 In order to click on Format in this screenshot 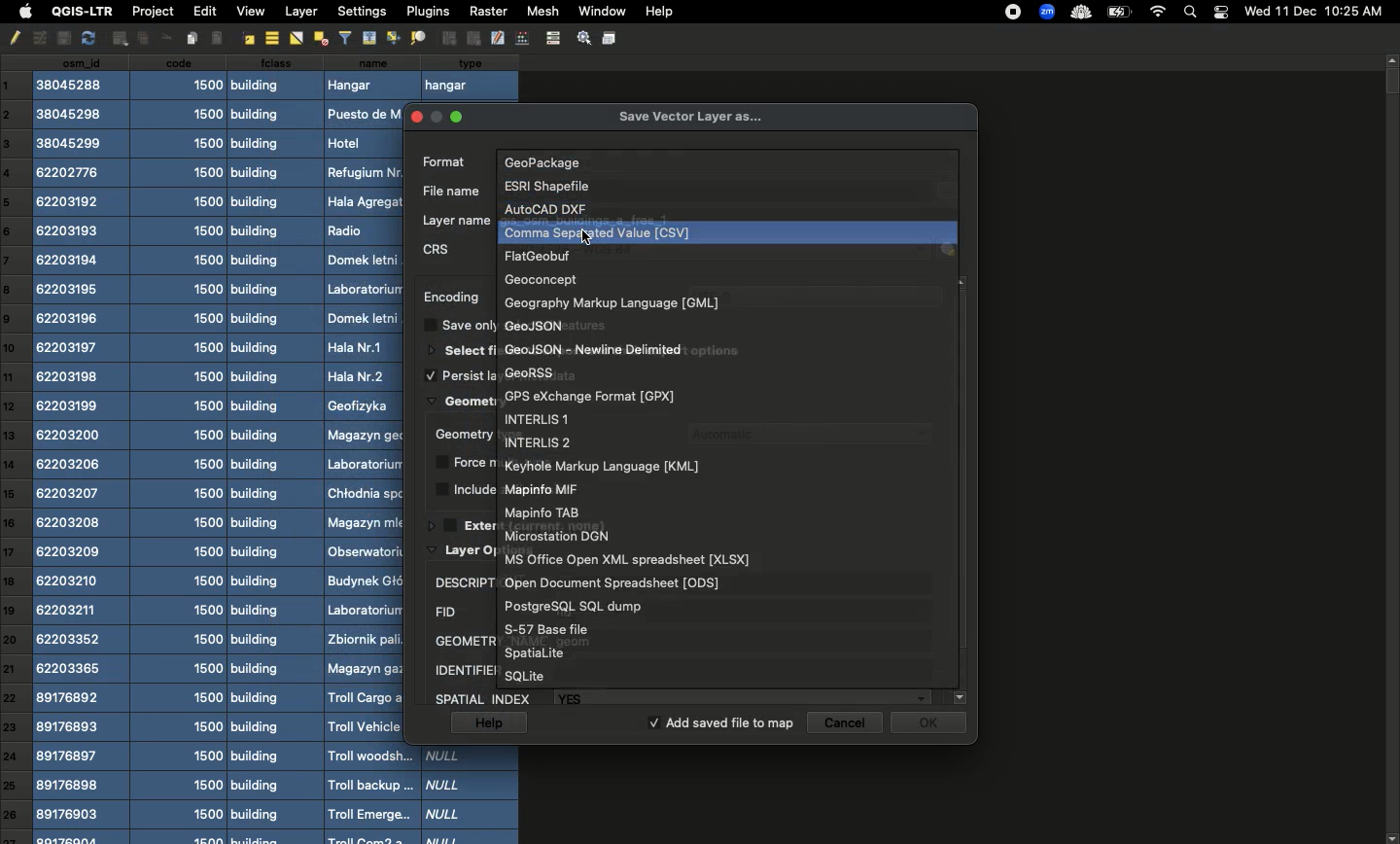, I will do `click(624, 348)`.